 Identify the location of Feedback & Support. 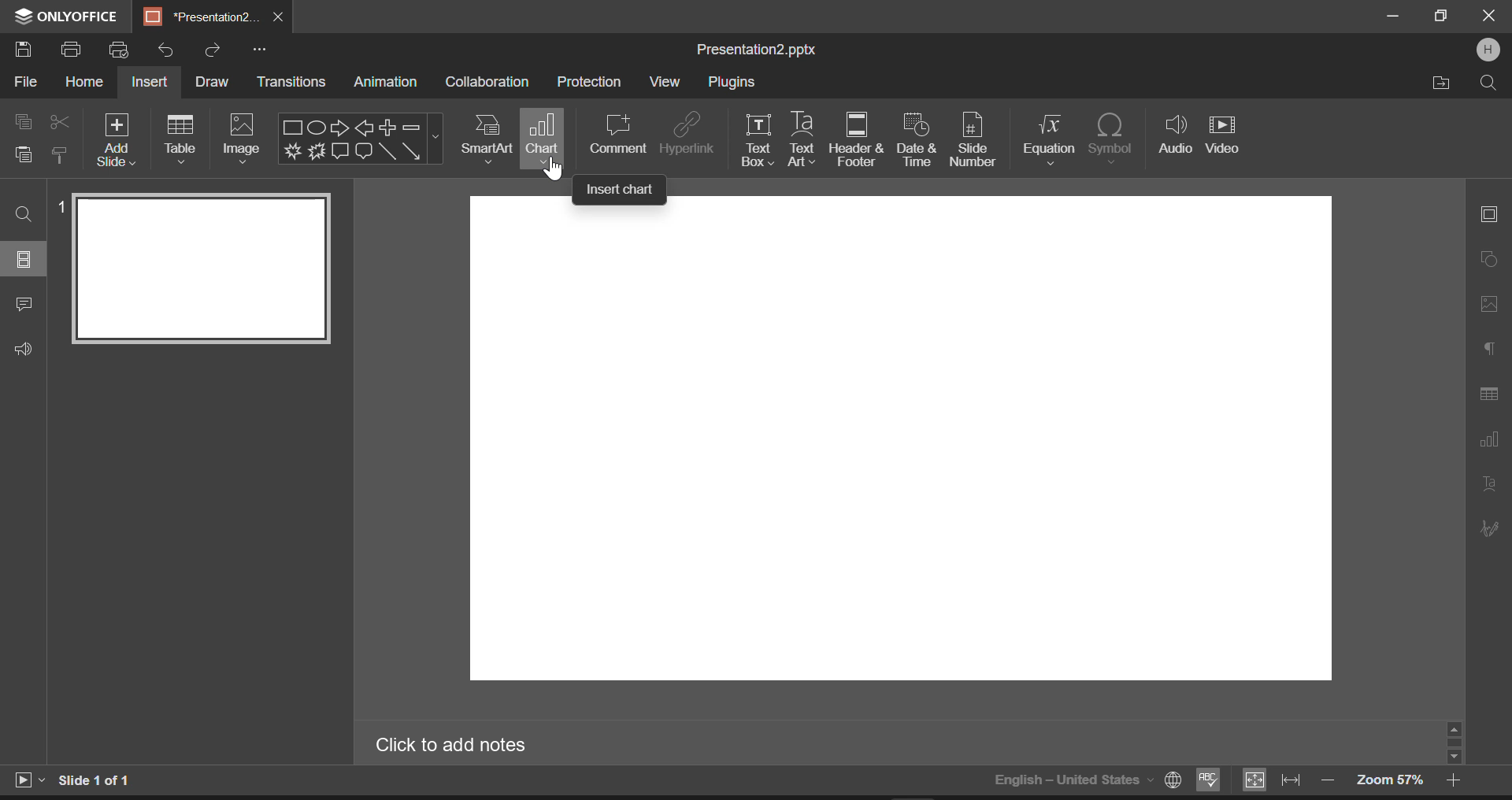
(23, 350).